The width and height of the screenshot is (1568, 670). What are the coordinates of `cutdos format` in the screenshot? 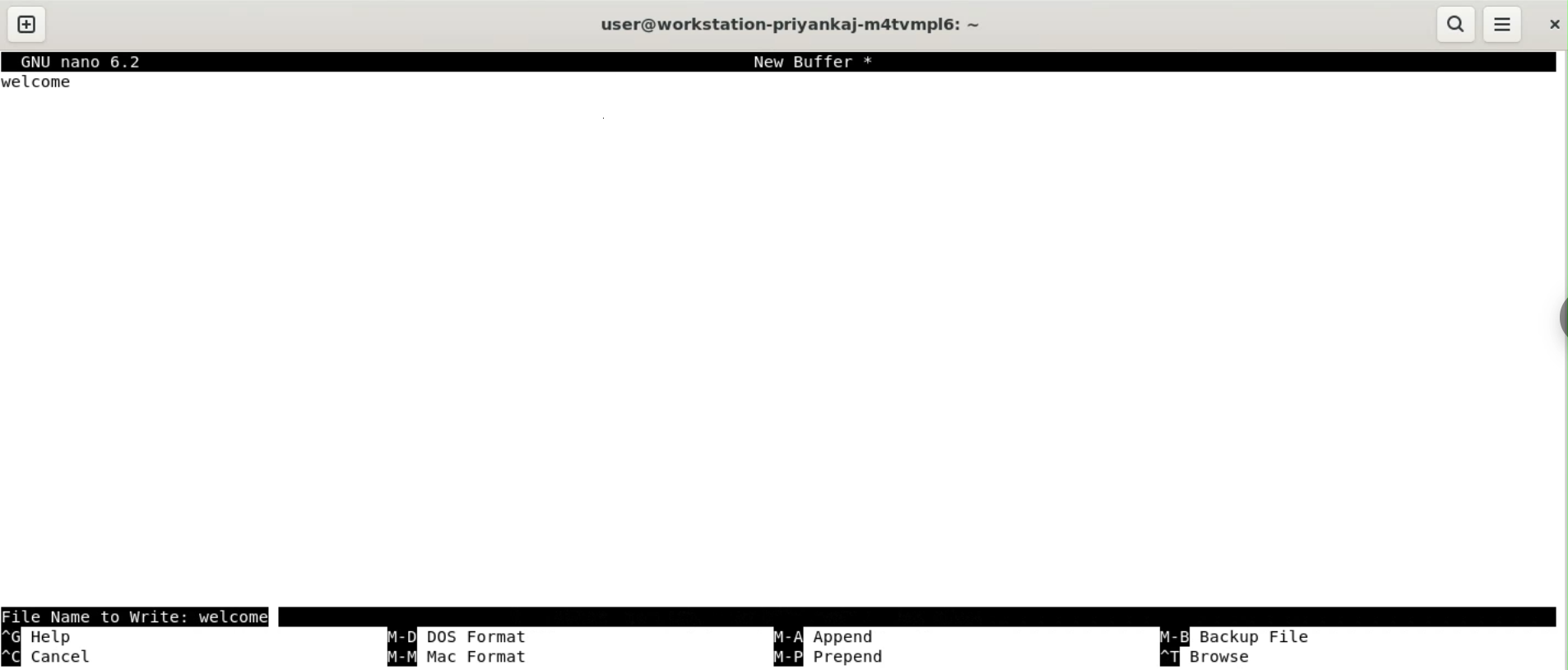 It's located at (462, 635).